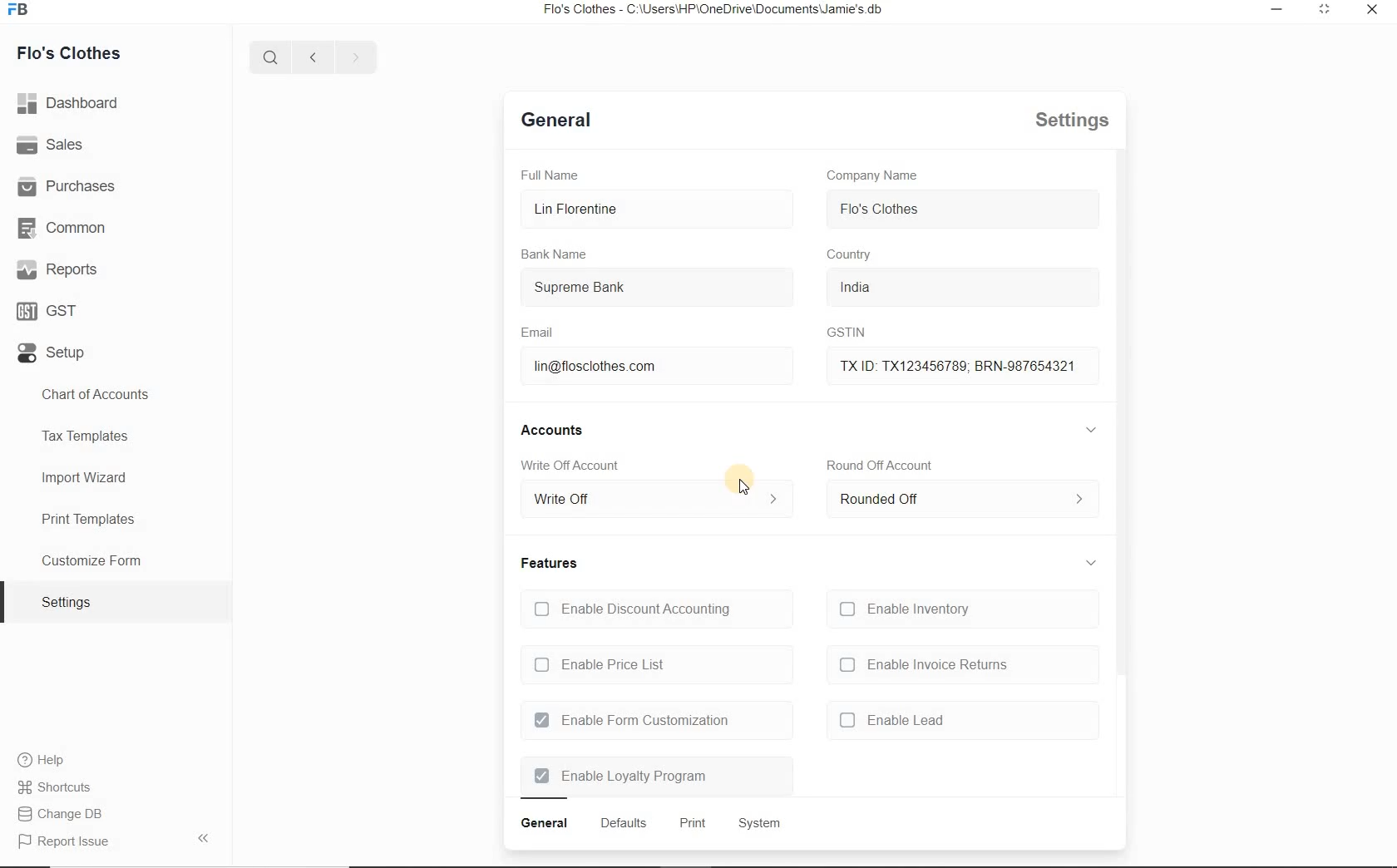 The height and width of the screenshot is (868, 1397). Describe the element at coordinates (691, 825) in the screenshot. I see `print` at that location.